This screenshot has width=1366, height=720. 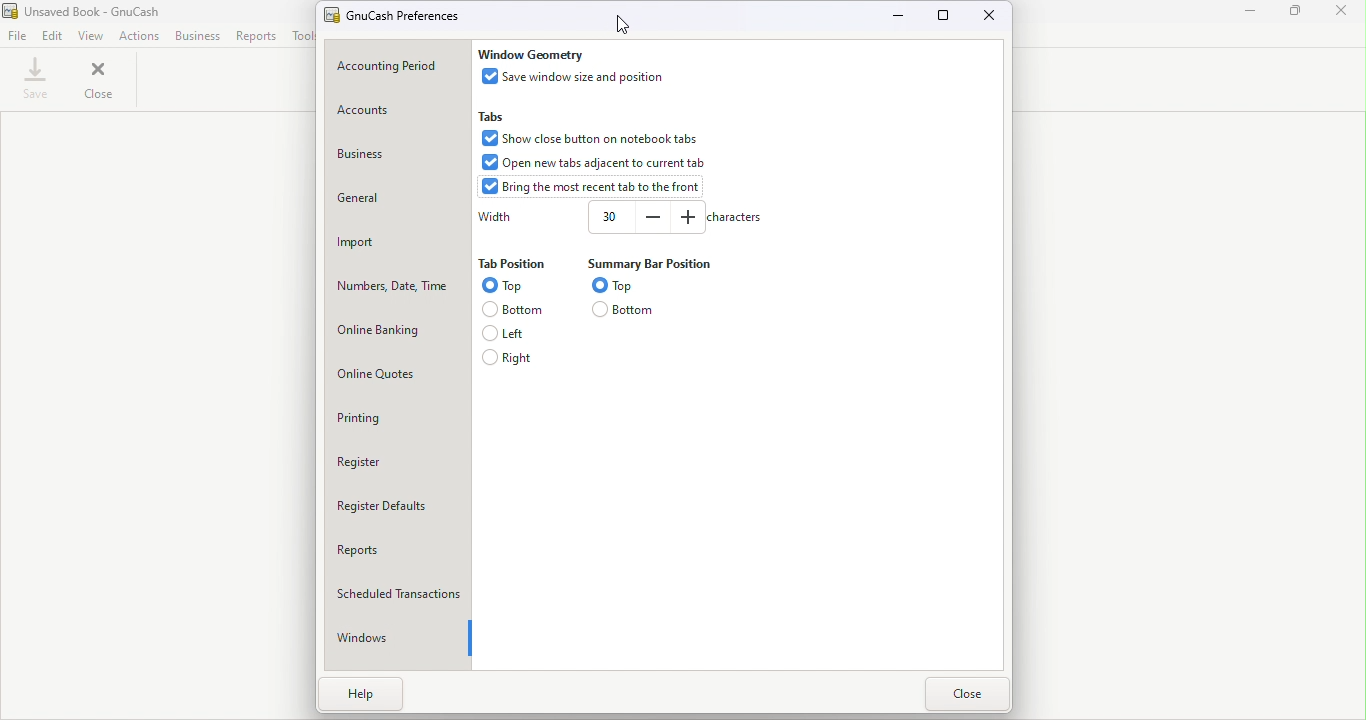 I want to click on Reports, so click(x=257, y=35).